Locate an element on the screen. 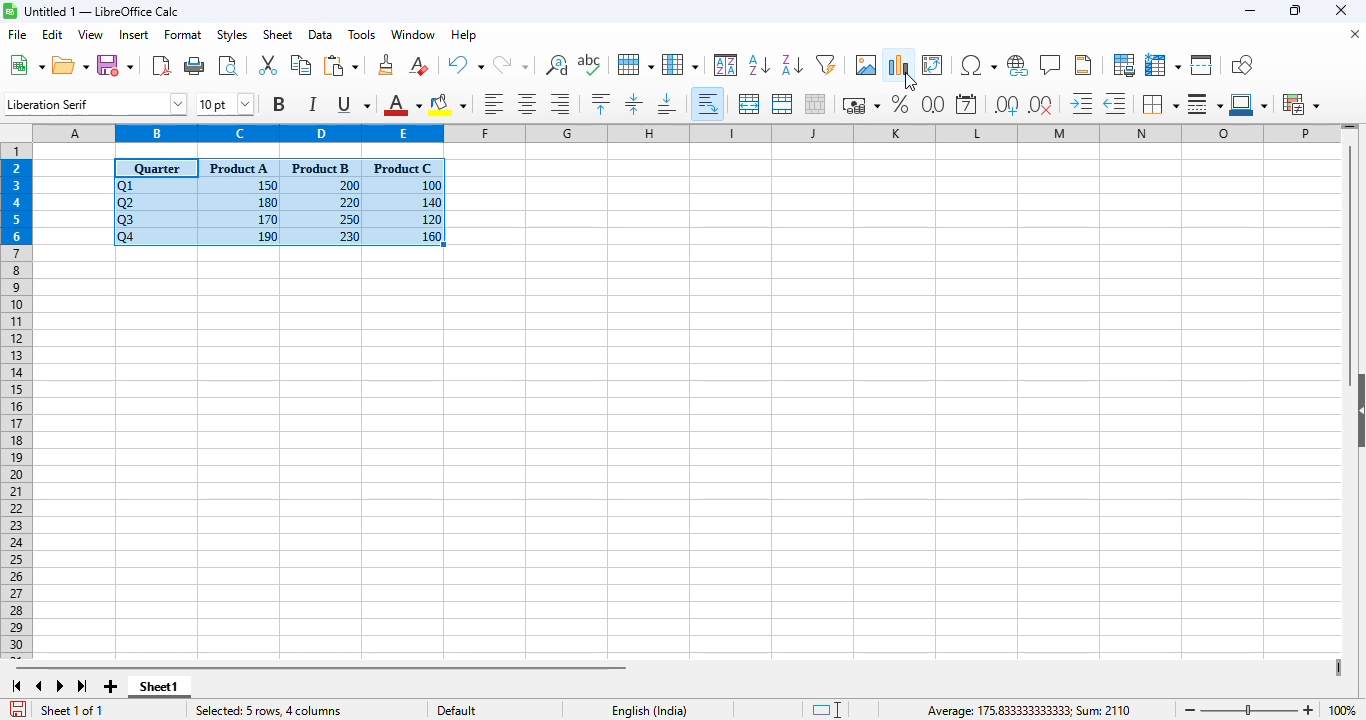 This screenshot has height=720, width=1366. sort ascending is located at coordinates (760, 65).